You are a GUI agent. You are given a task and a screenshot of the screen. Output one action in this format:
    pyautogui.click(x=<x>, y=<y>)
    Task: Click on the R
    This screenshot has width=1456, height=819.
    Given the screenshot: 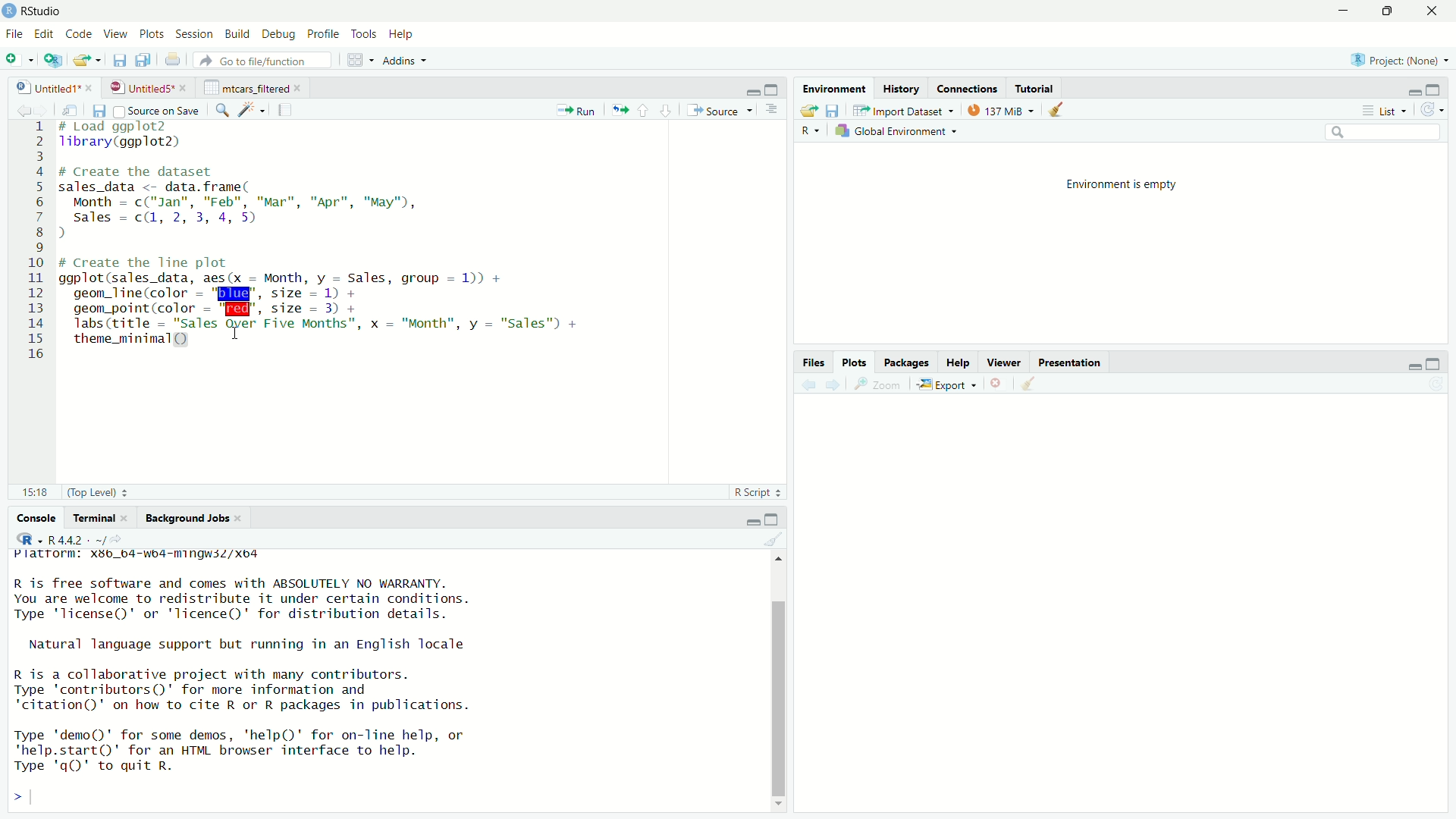 What is the action you would take?
    pyautogui.click(x=29, y=538)
    